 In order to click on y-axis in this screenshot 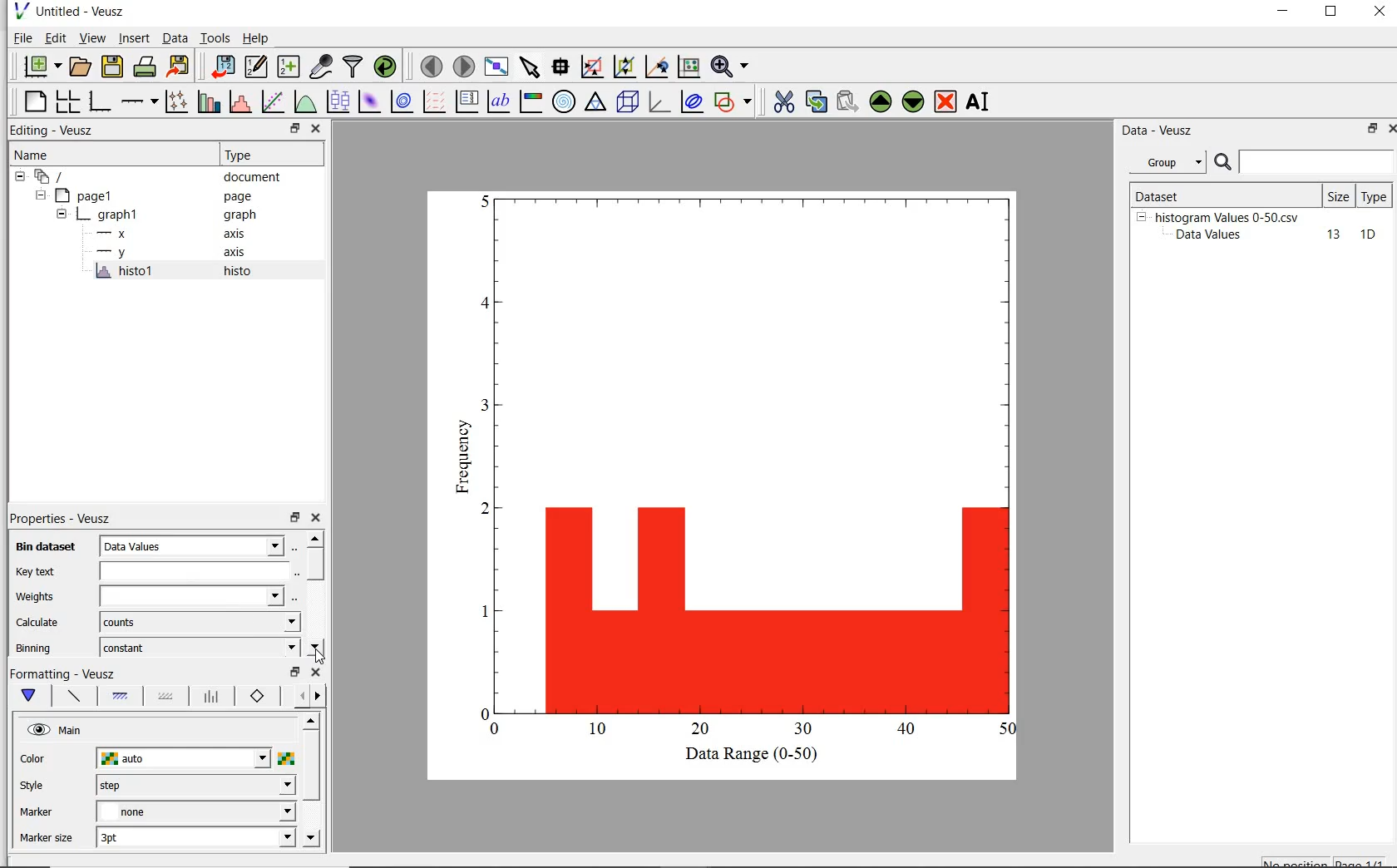, I will do `click(115, 253)`.